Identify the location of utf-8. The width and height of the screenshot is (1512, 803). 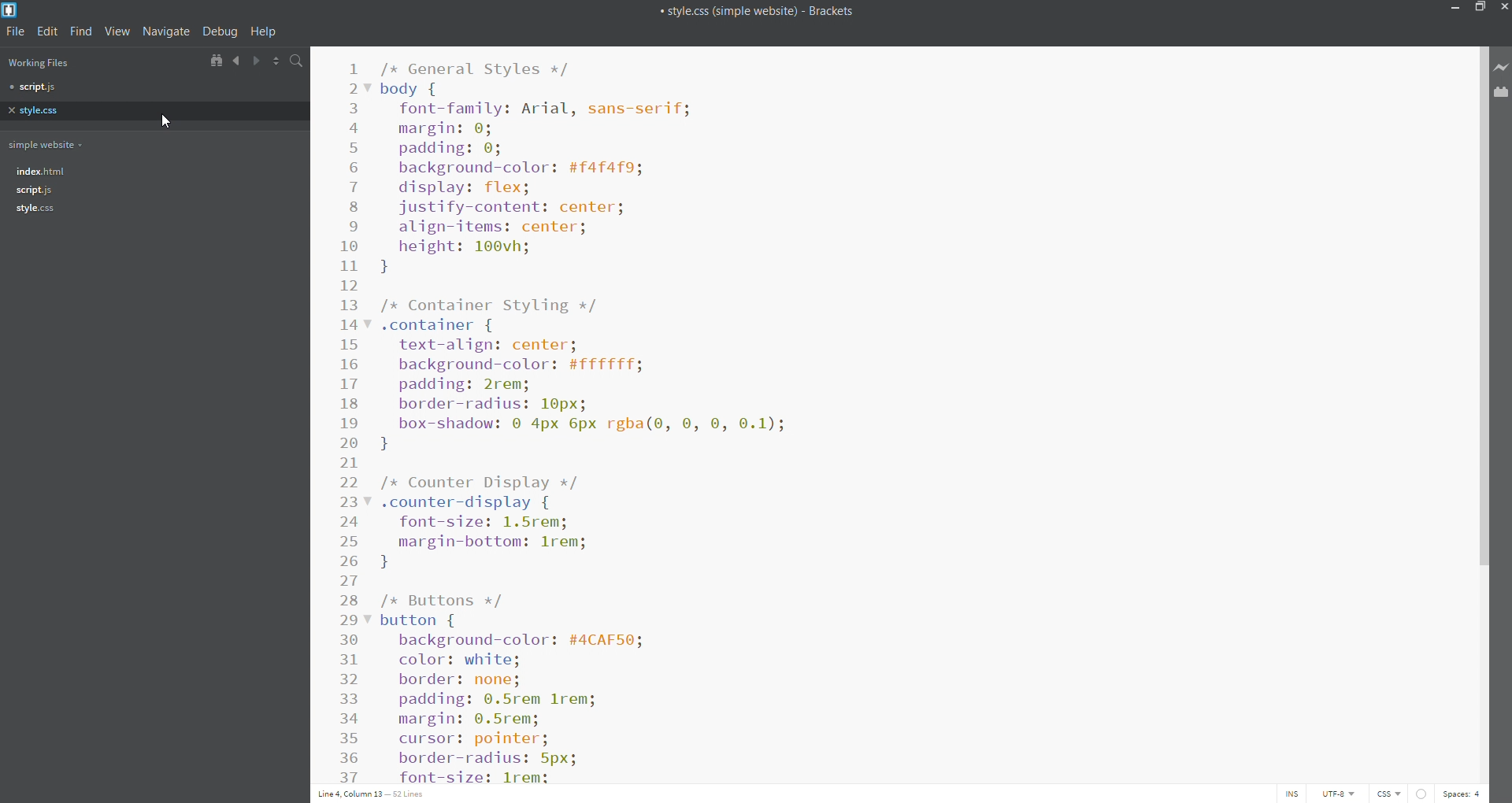
(1337, 793).